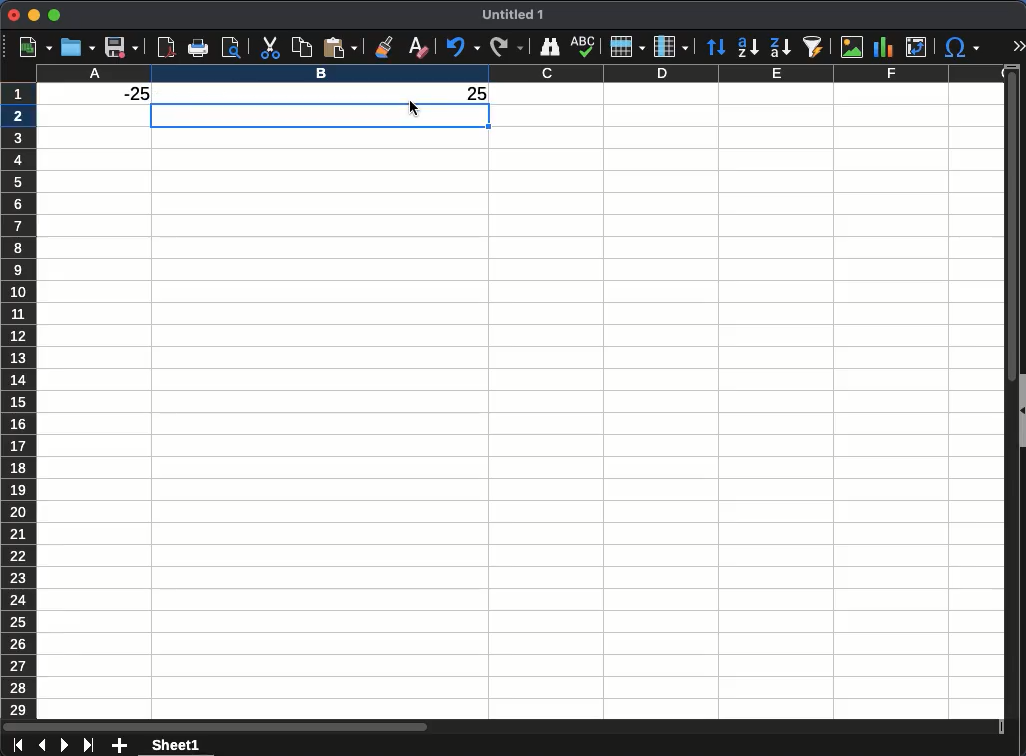 This screenshot has height=756, width=1026. Describe the element at coordinates (63, 746) in the screenshot. I see `next sheet` at that location.